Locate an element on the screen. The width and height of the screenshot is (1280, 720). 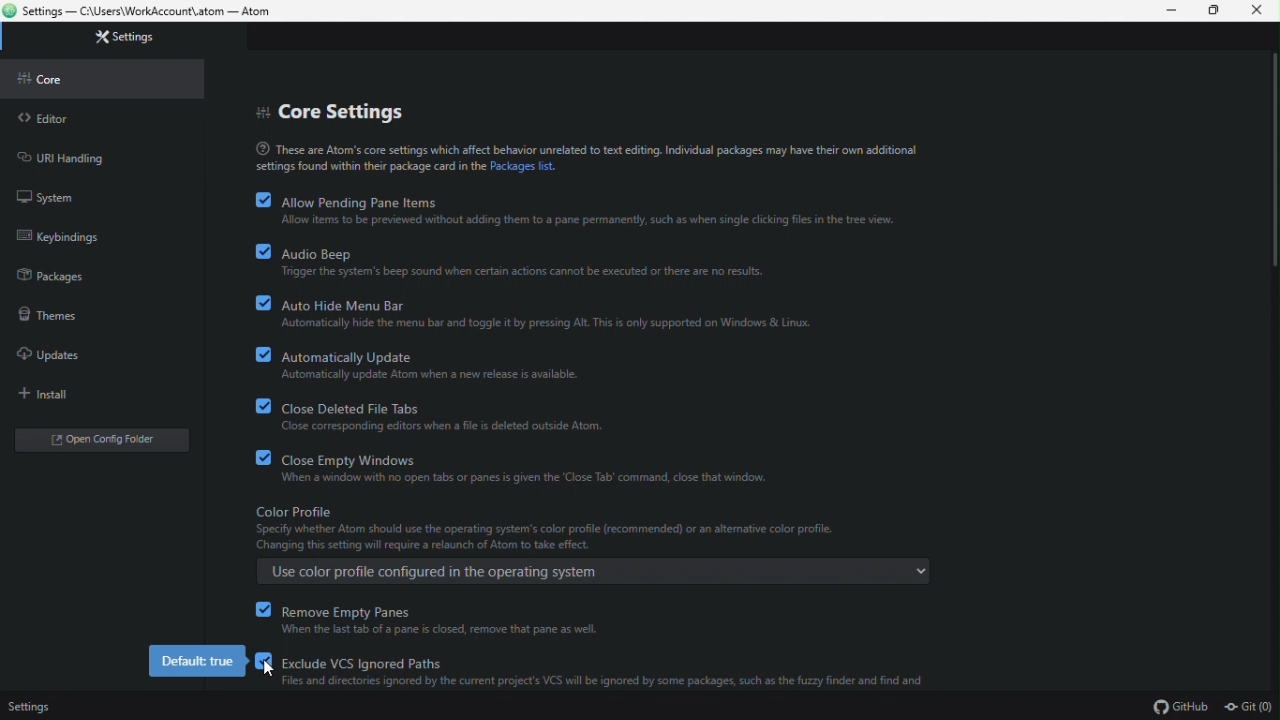
checkbox is located at coordinates (251, 406).